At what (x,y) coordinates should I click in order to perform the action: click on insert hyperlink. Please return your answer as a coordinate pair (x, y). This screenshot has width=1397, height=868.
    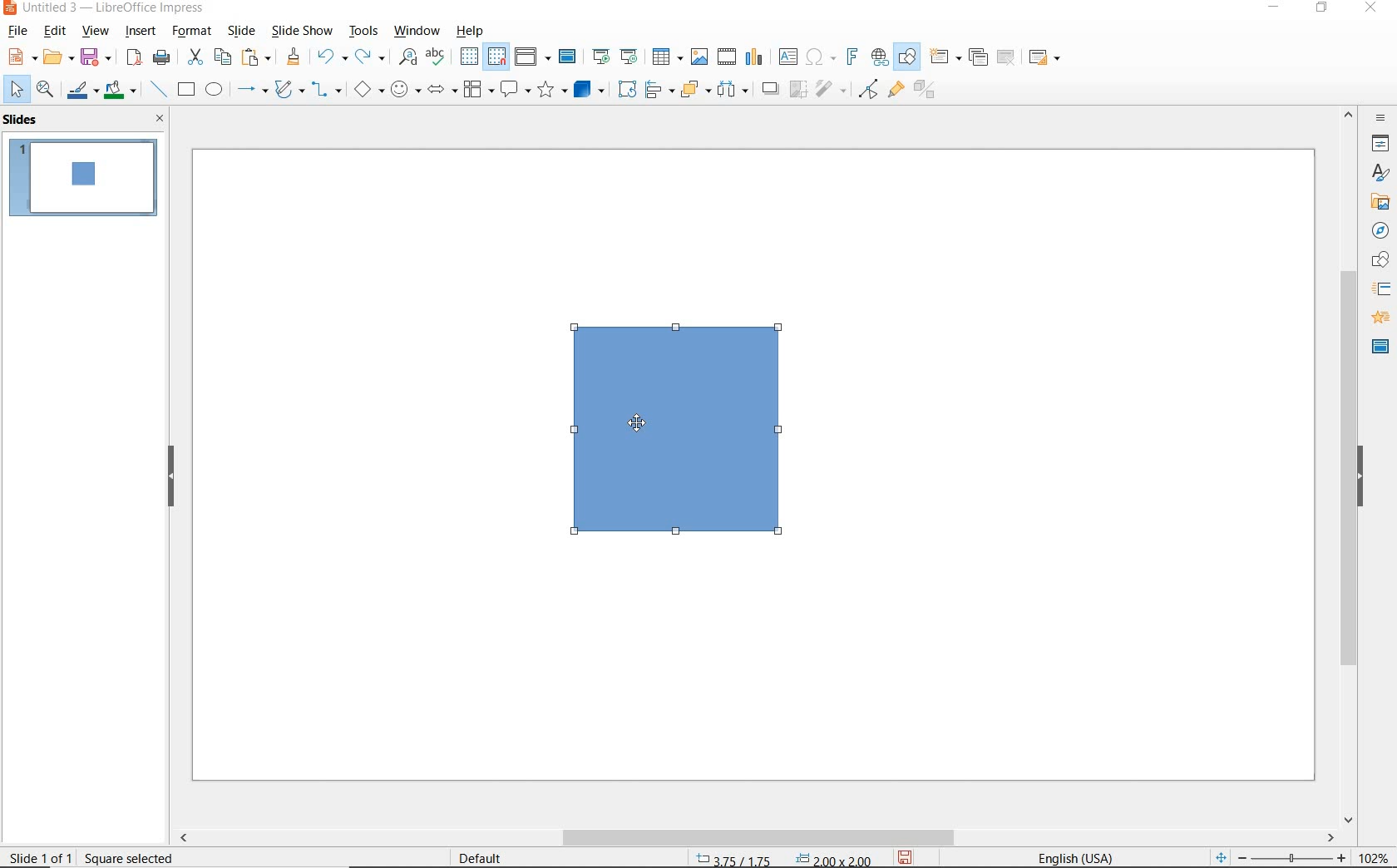
    Looking at the image, I should click on (878, 56).